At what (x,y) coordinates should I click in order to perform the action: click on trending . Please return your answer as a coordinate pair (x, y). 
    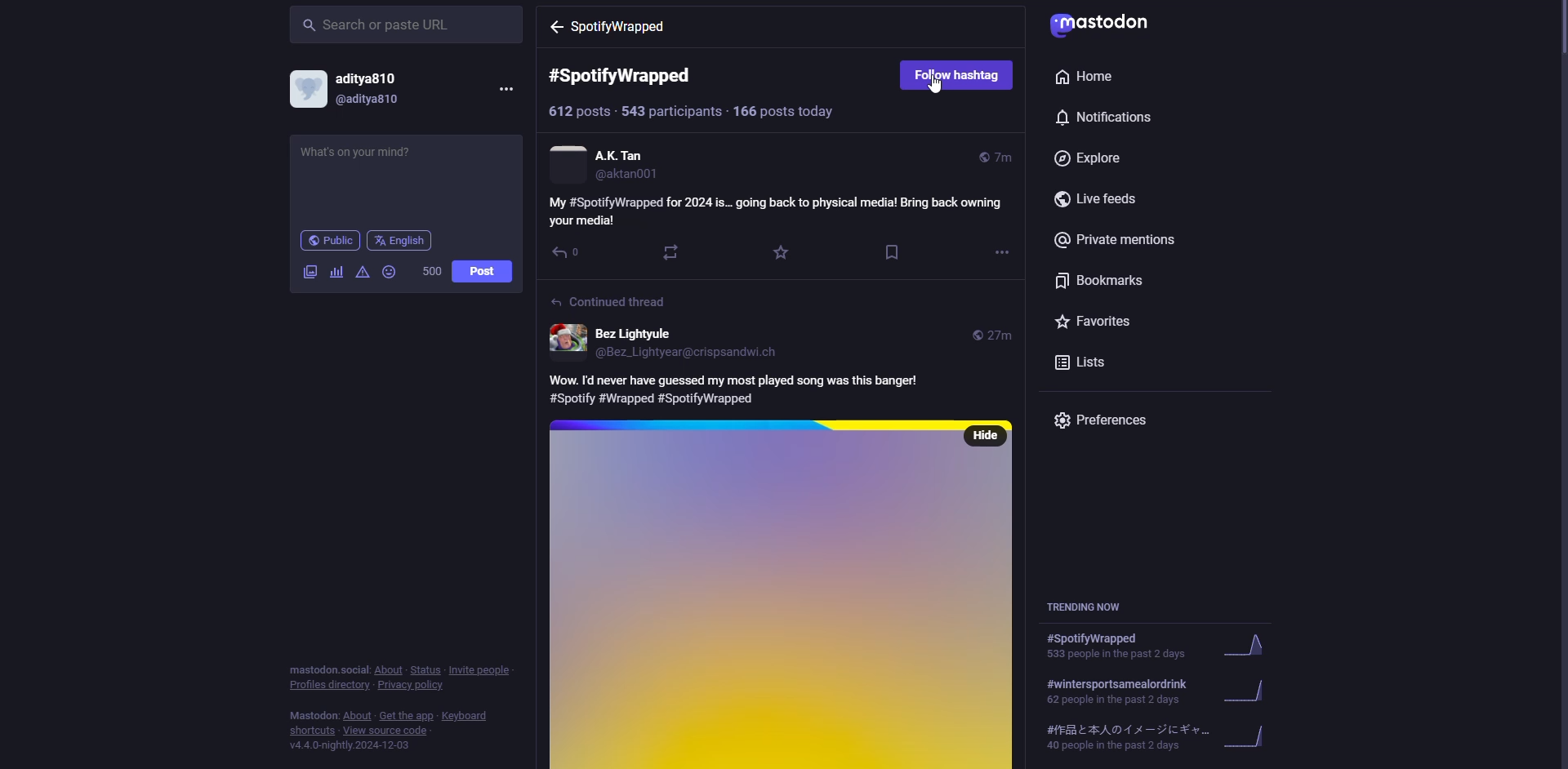
    Looking at the image, I should click on (1152, 691).